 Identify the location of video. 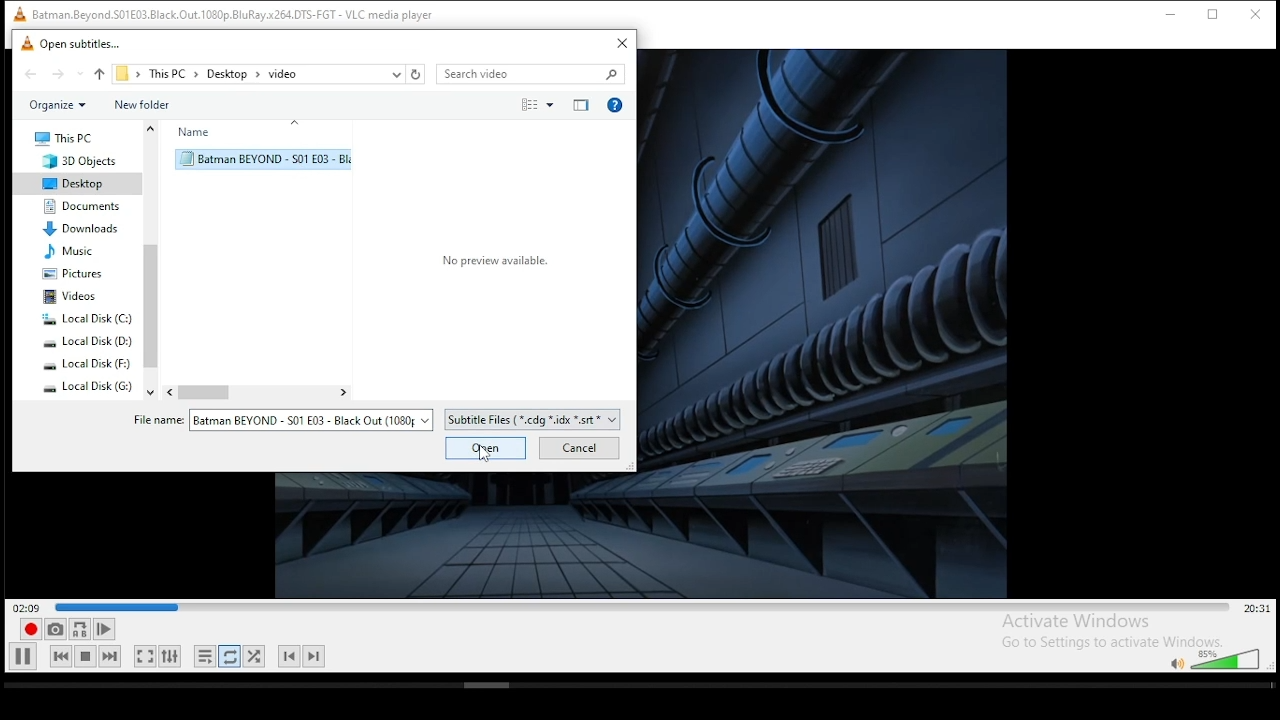
(282, 73).